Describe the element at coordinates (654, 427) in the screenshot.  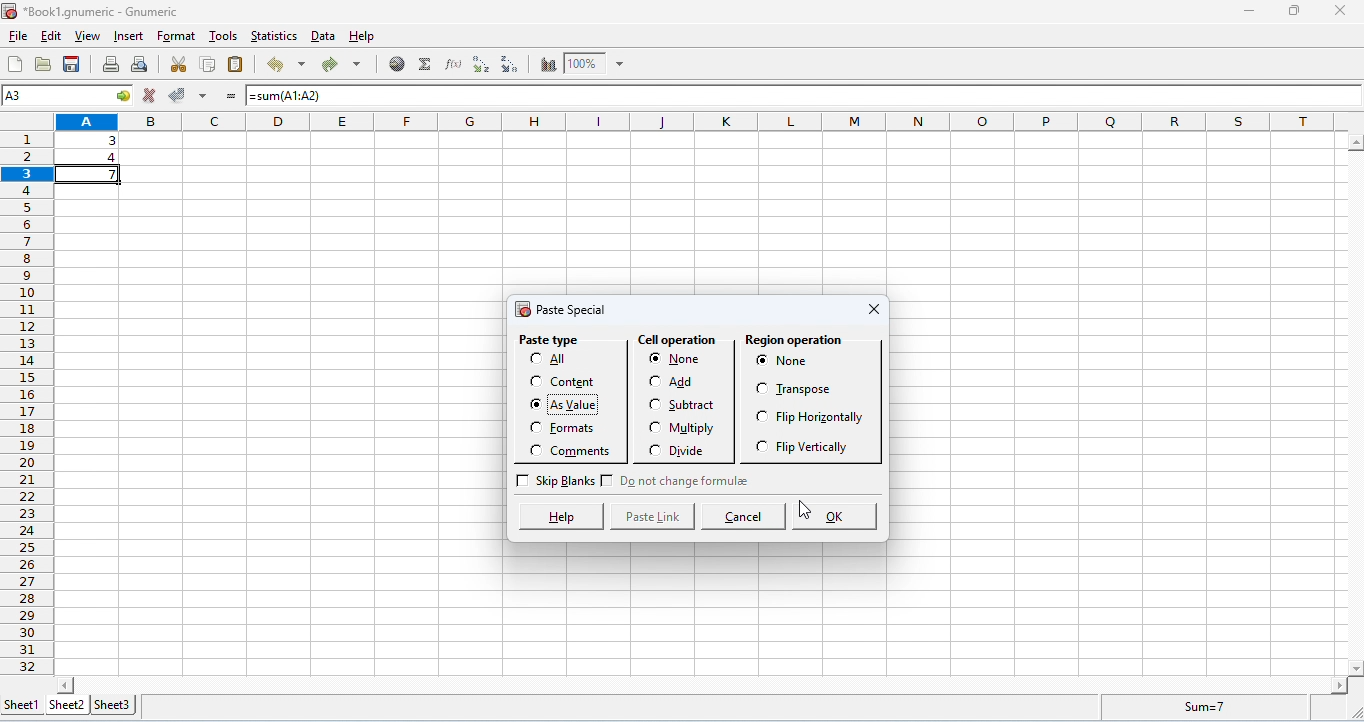
I see `Checkbox` at that location.